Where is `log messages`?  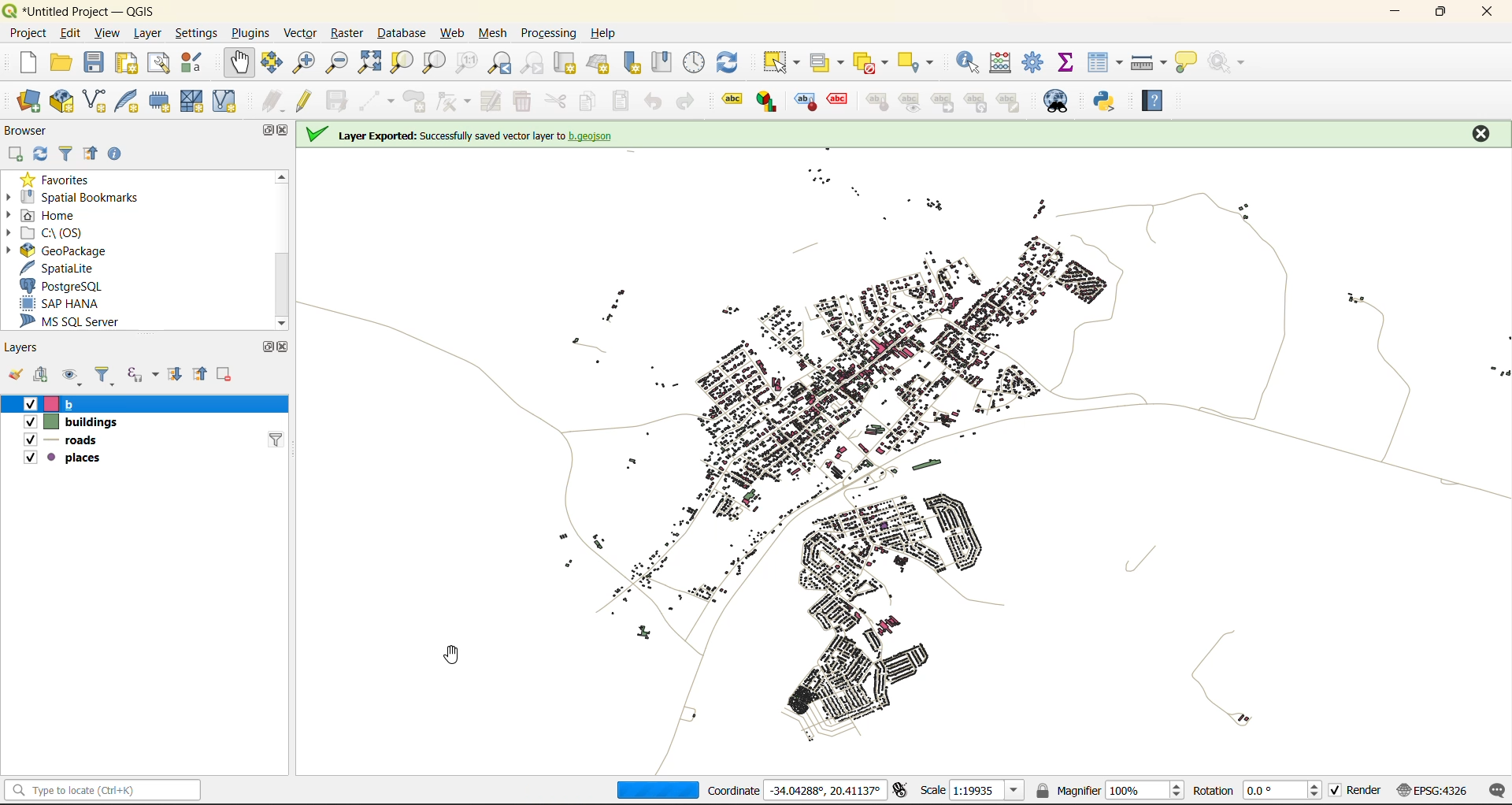 log messages is located at coordinates (1494, 789).